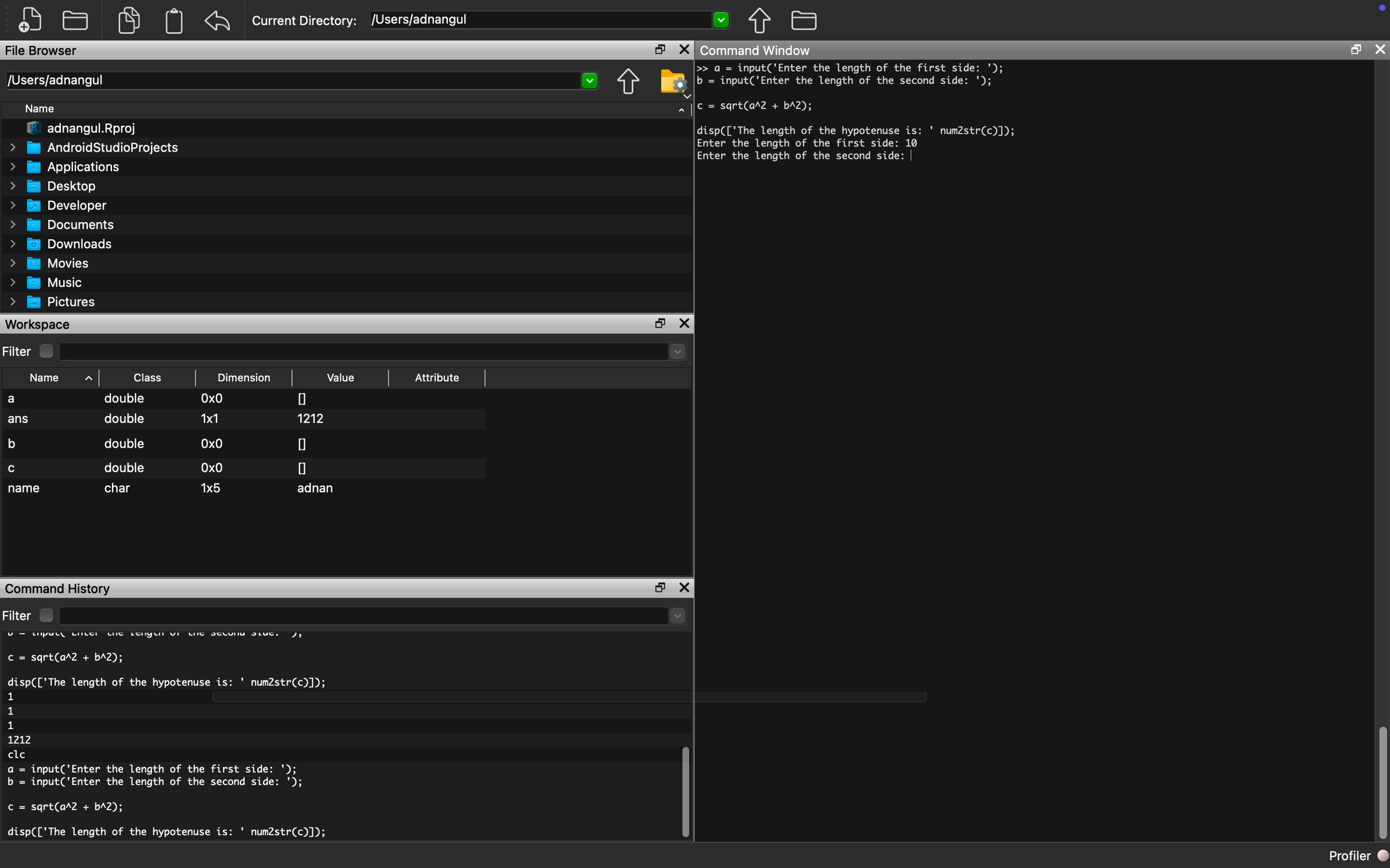 This screenshot has width=1390, height=868. I want to click on adnan, so click(320, 490).